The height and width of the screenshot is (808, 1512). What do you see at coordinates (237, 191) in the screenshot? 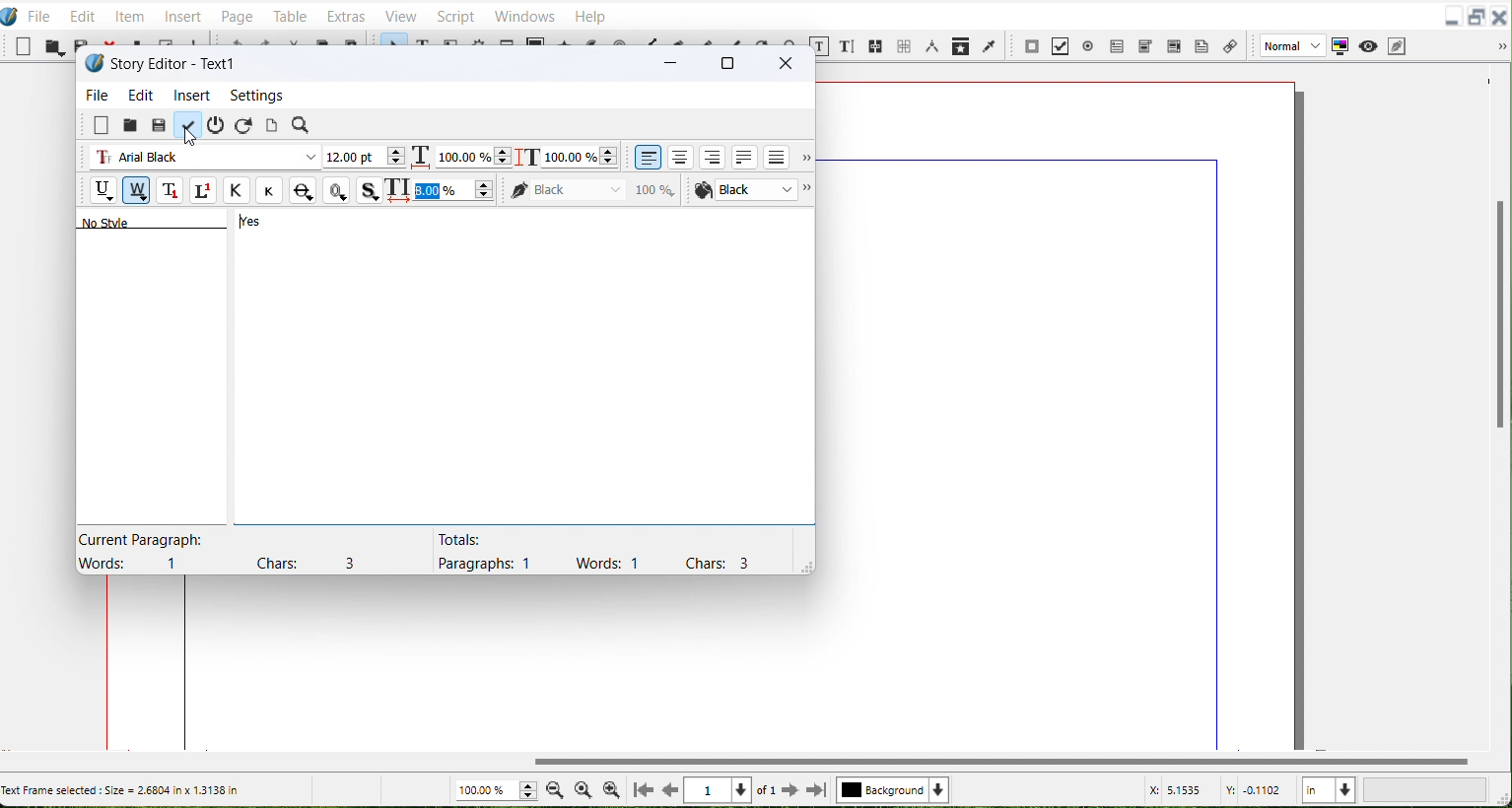
I see `All Caps` at bounding box center [237, 191].